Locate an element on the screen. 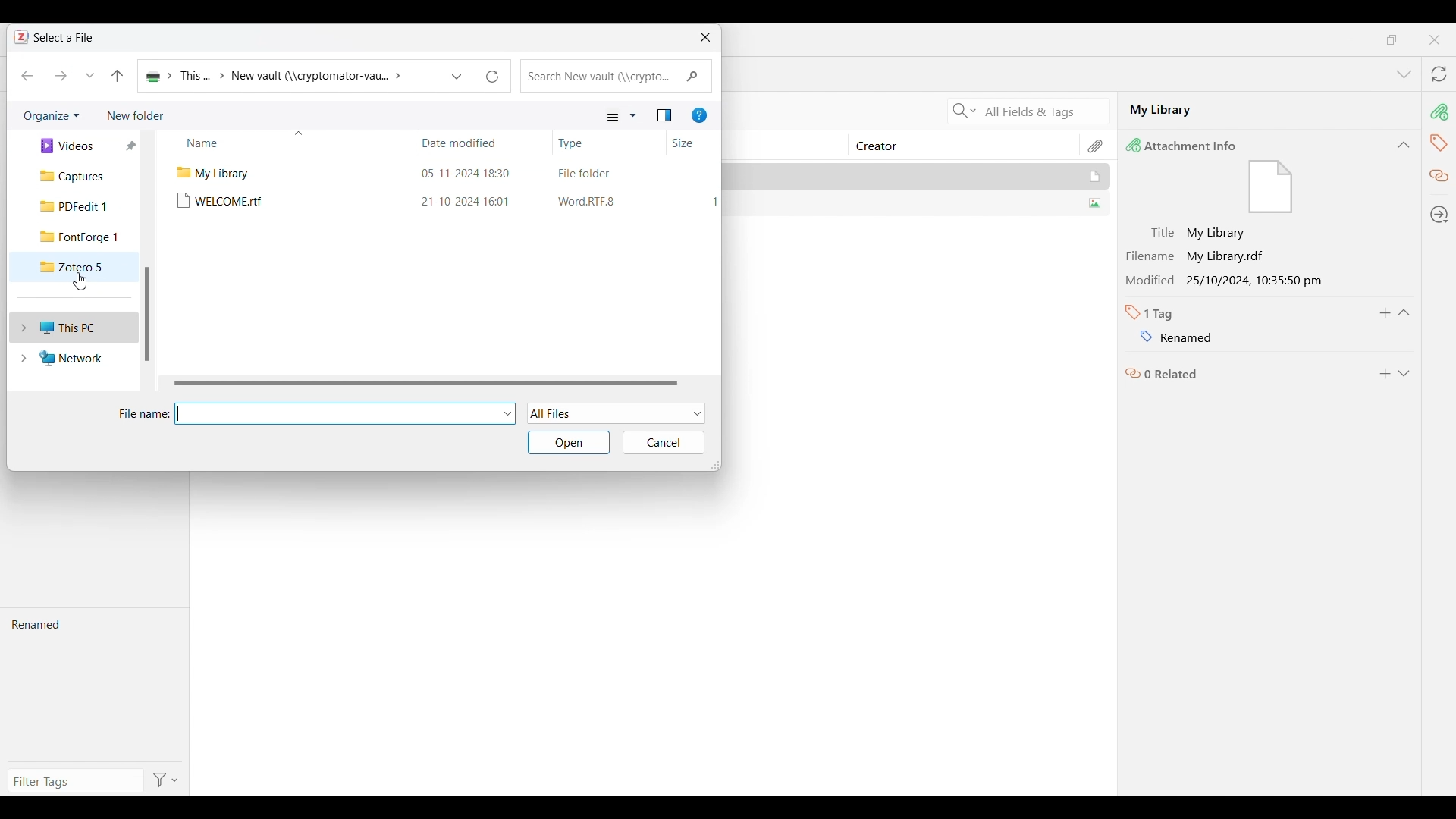 This screenshot has width=1456, height=819. Tags is located at coordinates (1439, 143).